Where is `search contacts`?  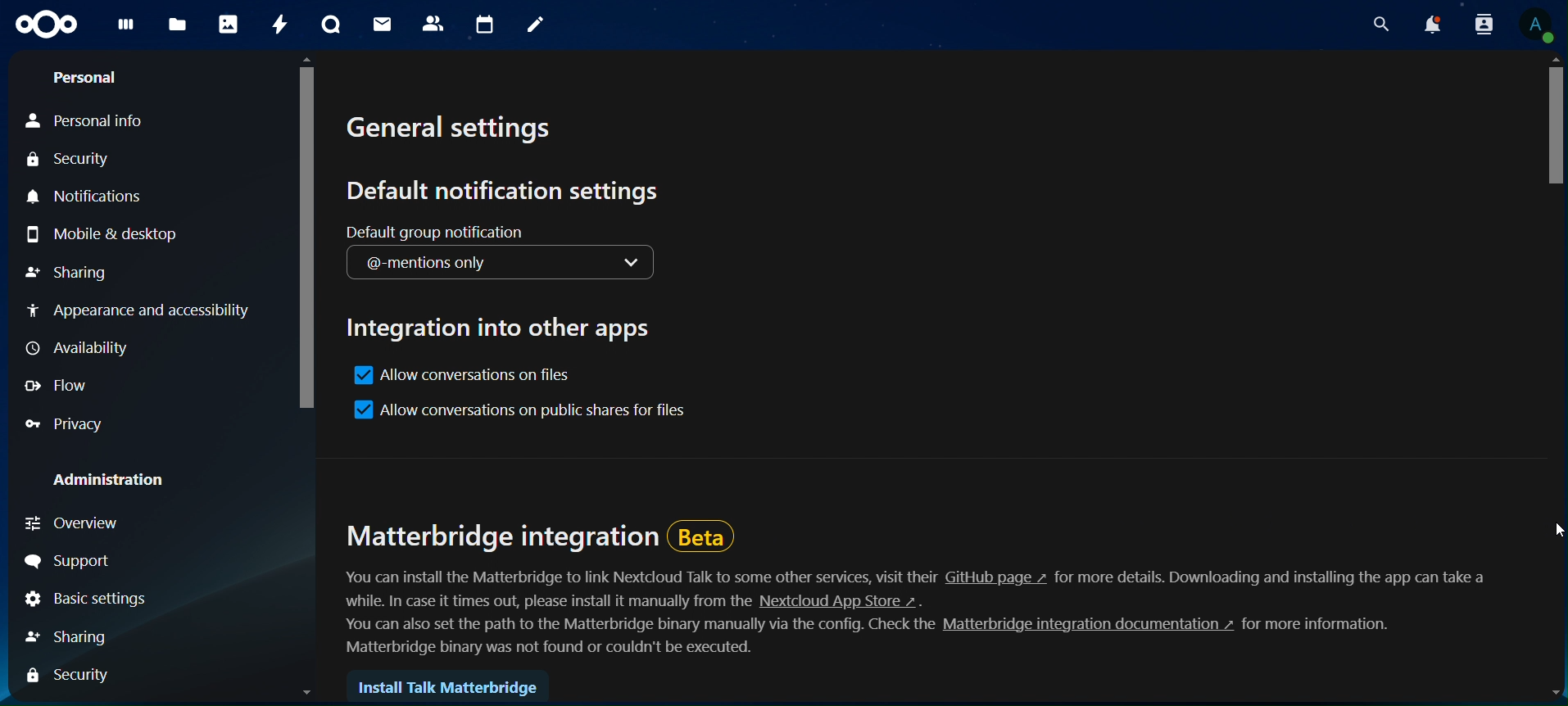 search contacts is located at coordinates (1480, 25).